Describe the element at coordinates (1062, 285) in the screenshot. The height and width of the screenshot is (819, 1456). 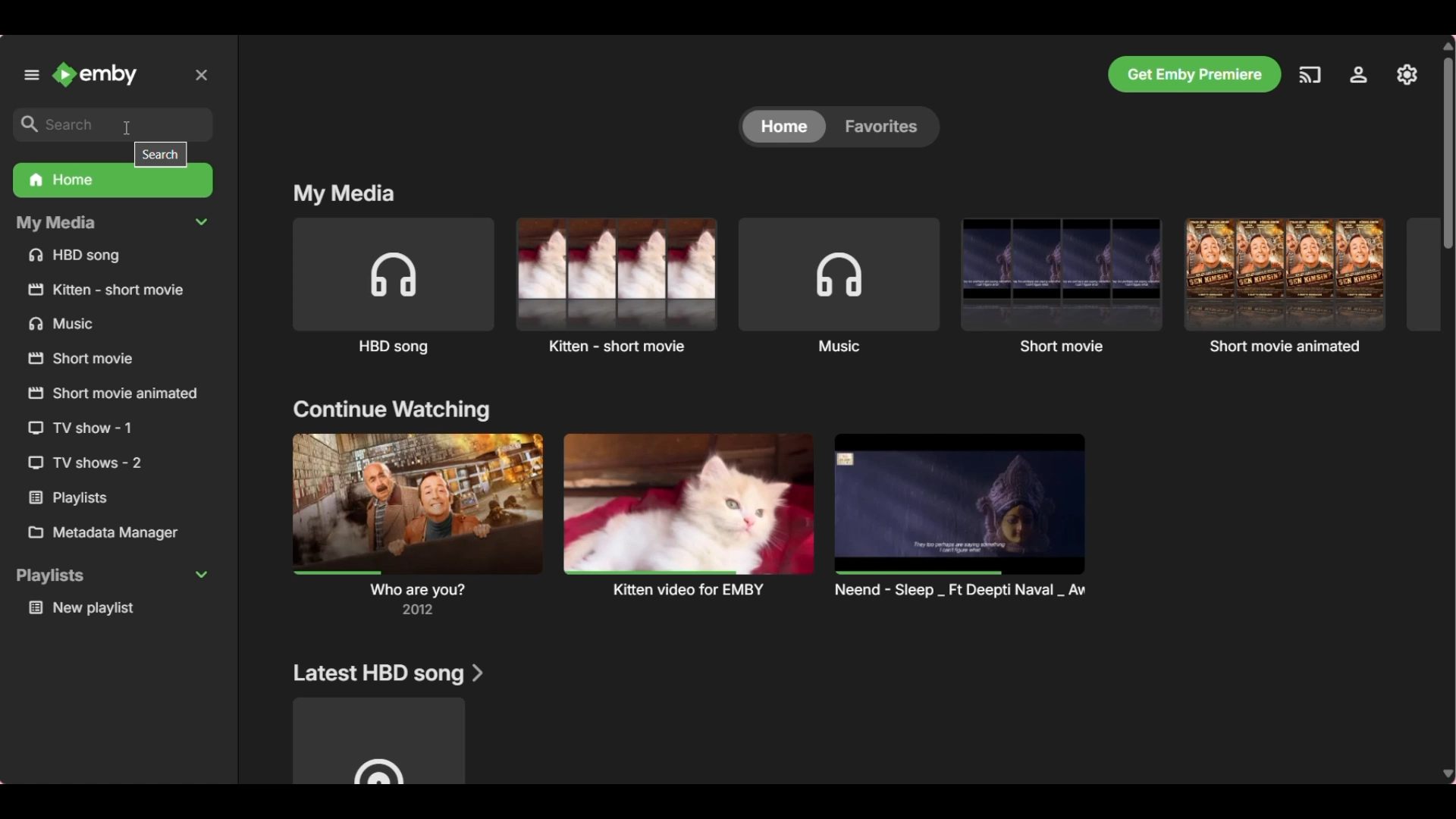
I see `Short movie` at that location.